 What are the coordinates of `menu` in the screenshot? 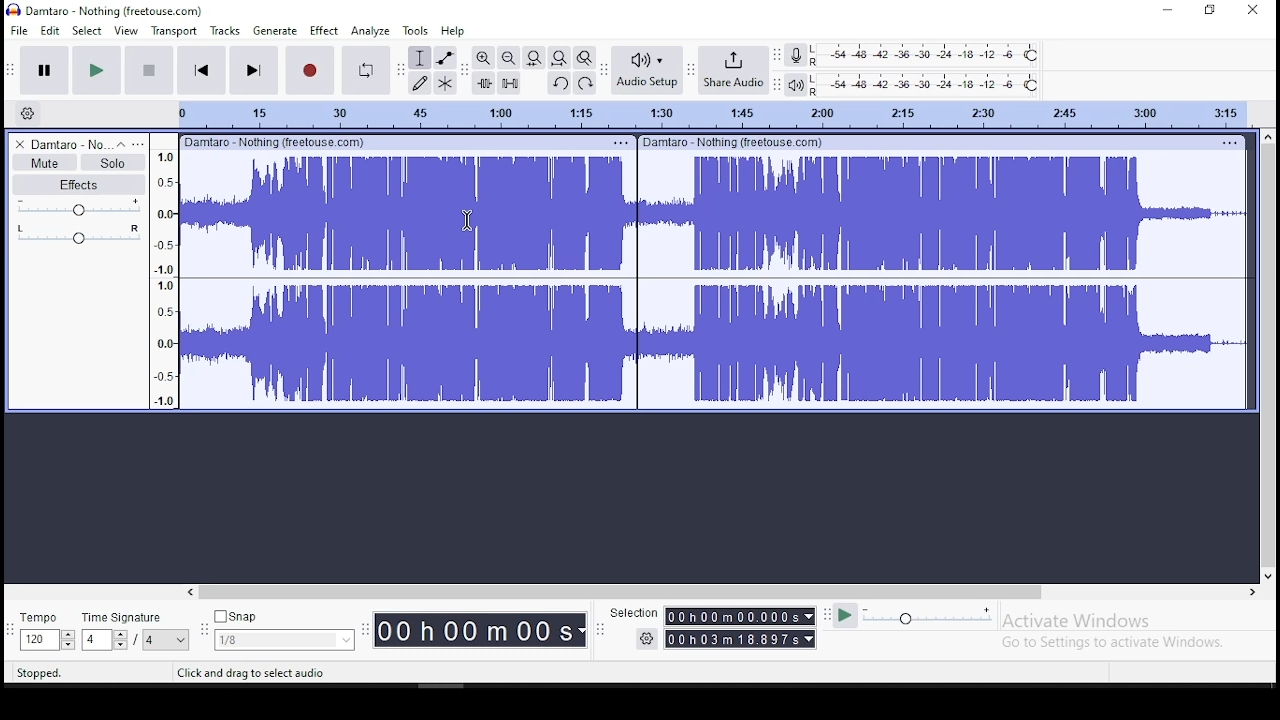 It's located at (1227, 142).